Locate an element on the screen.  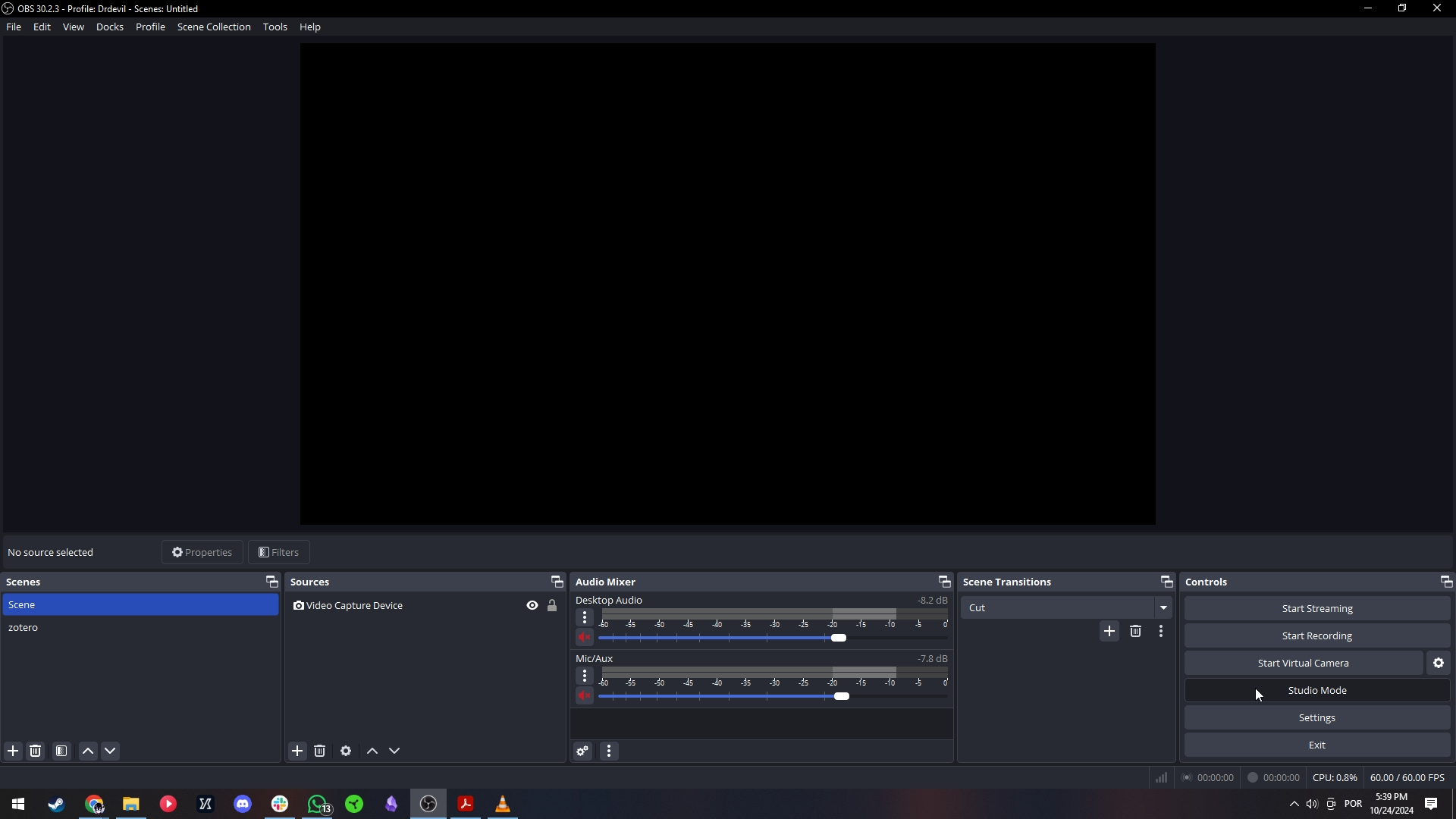
Add scene is located at coordinates (14, 752).